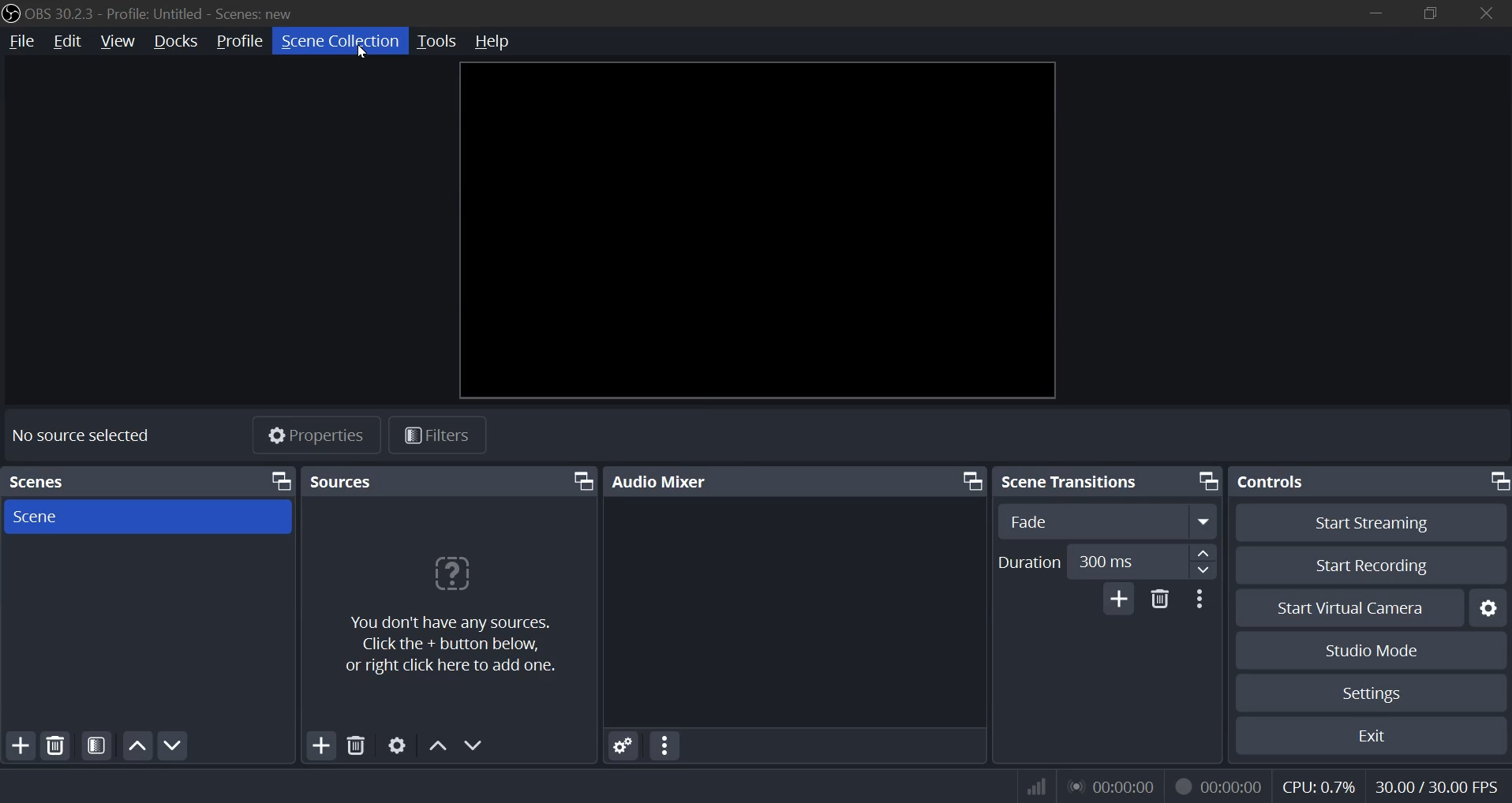 This screenshot has width=1512, height=803. I want to click on scene transitions, so click(1076, 481).